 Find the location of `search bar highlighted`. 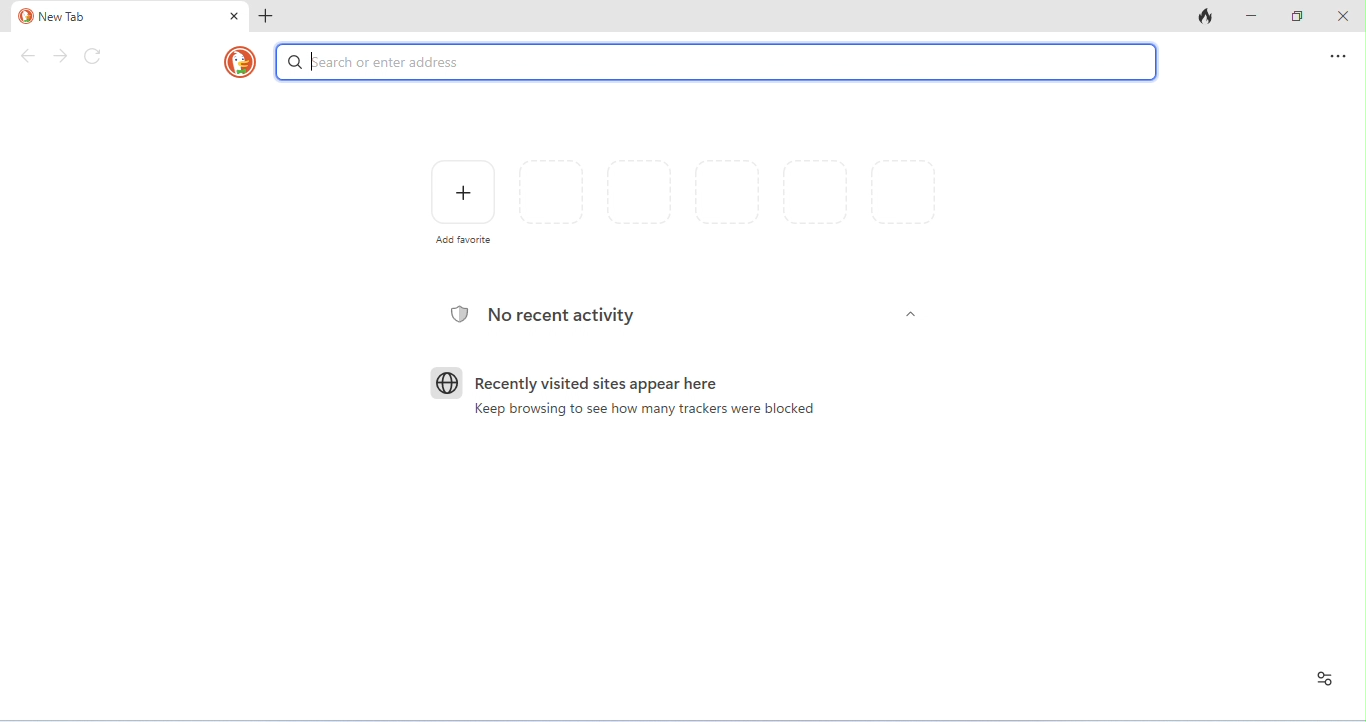

search bar highlighted is located at coordinates (716, 62).